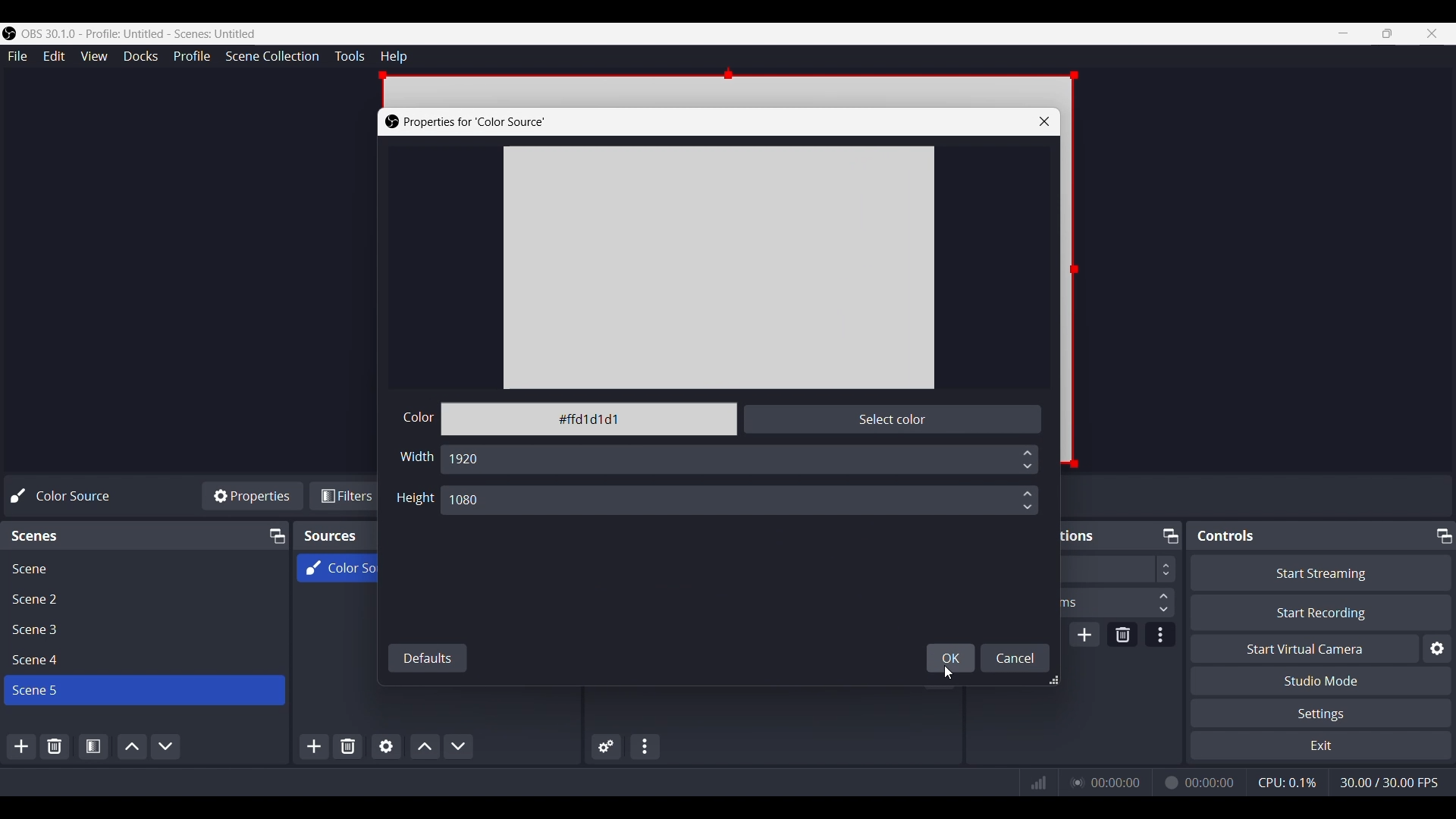 This screenshot has height=819, width=1456. Describe the element at coordinates (1084, 634) in the screenshot. I see `Add Configurable transition` at that location.